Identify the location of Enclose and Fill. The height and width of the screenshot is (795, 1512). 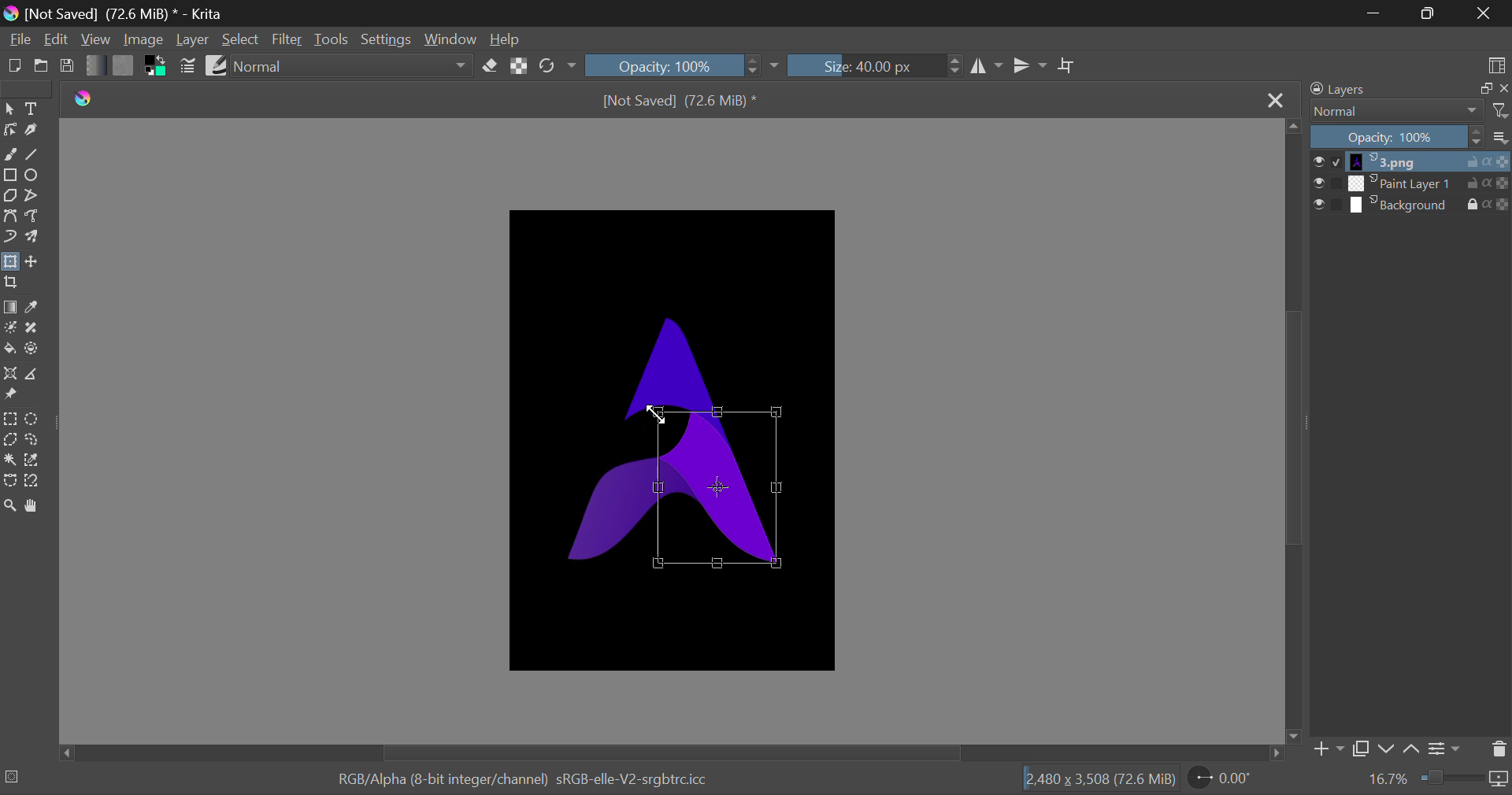
(36, 351).